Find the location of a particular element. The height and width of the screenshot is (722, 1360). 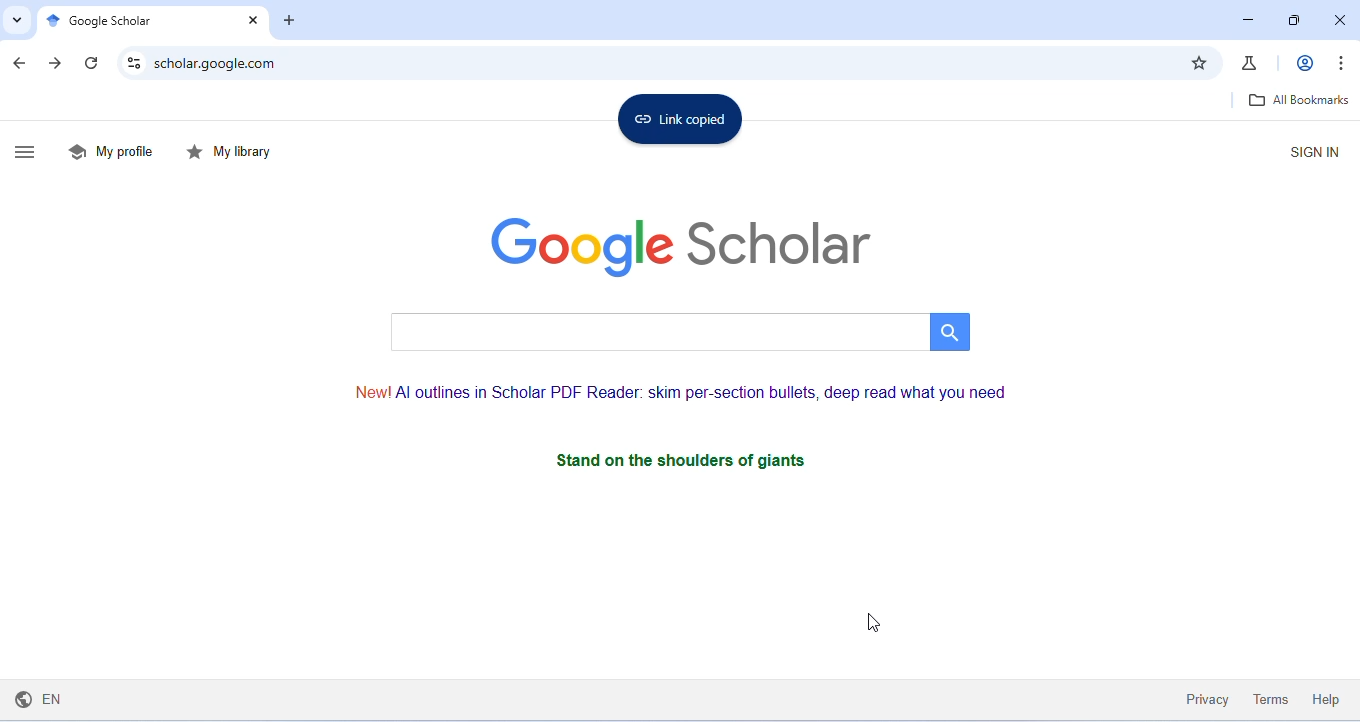

cursor movement is located at coordinates (874, 623).